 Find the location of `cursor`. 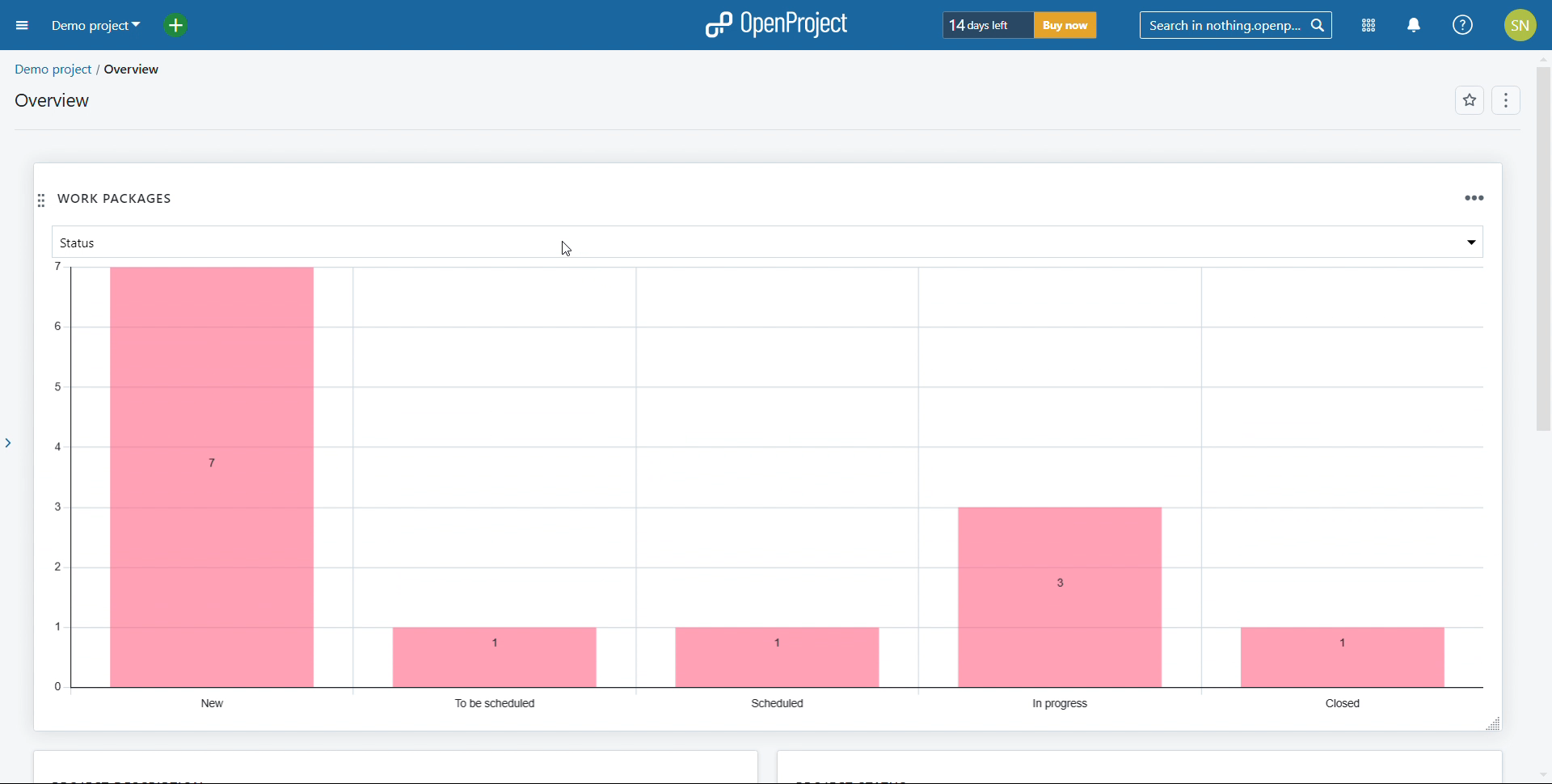

cursor is located at coordinates (564, 249).